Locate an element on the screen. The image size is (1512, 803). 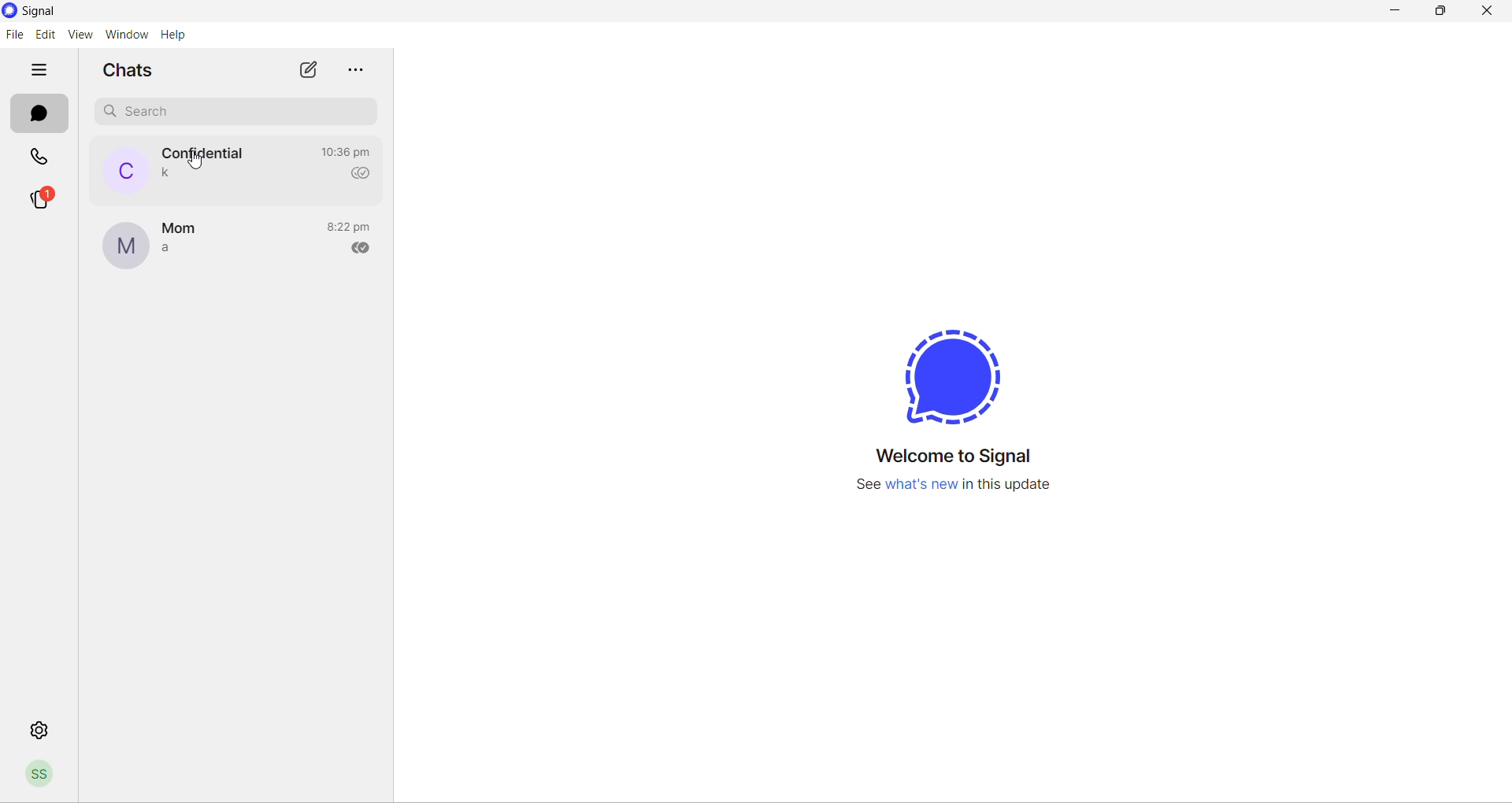
read recipient is located at coordinates (365, 175).